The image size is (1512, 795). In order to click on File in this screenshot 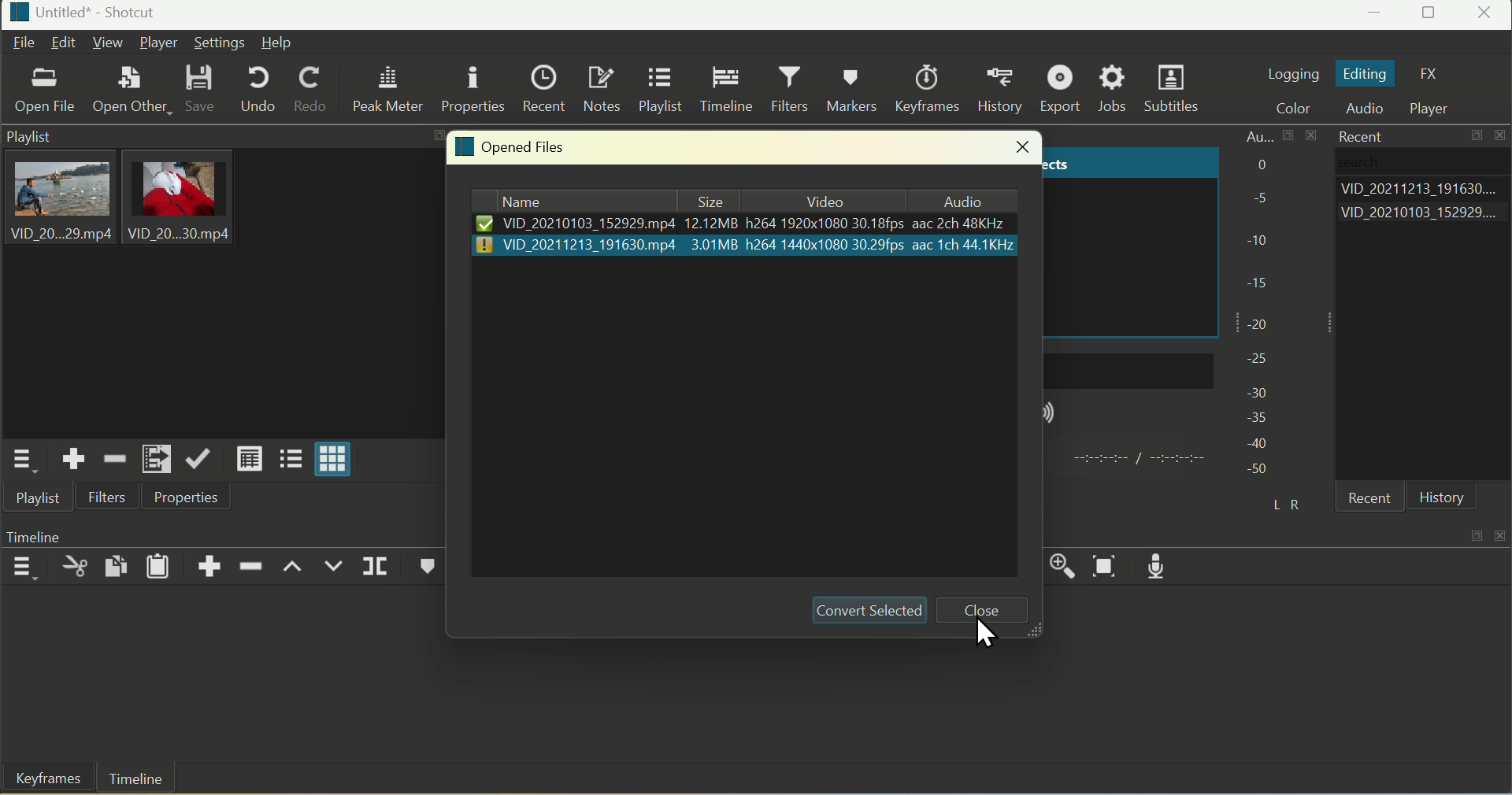, I will do `click(24, 44)`.